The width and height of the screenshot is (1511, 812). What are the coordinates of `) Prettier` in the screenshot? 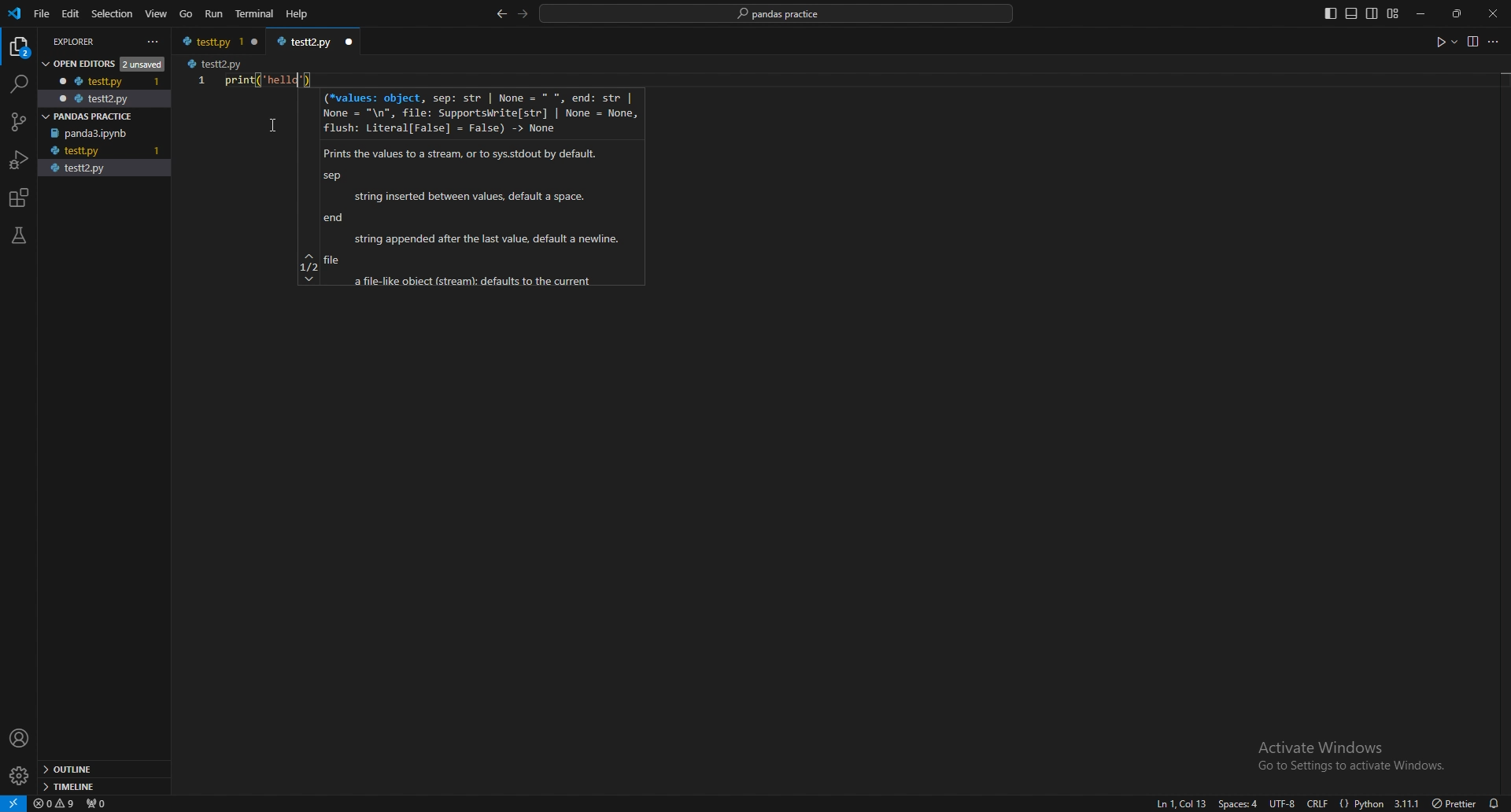 It's located at (1454, 802).